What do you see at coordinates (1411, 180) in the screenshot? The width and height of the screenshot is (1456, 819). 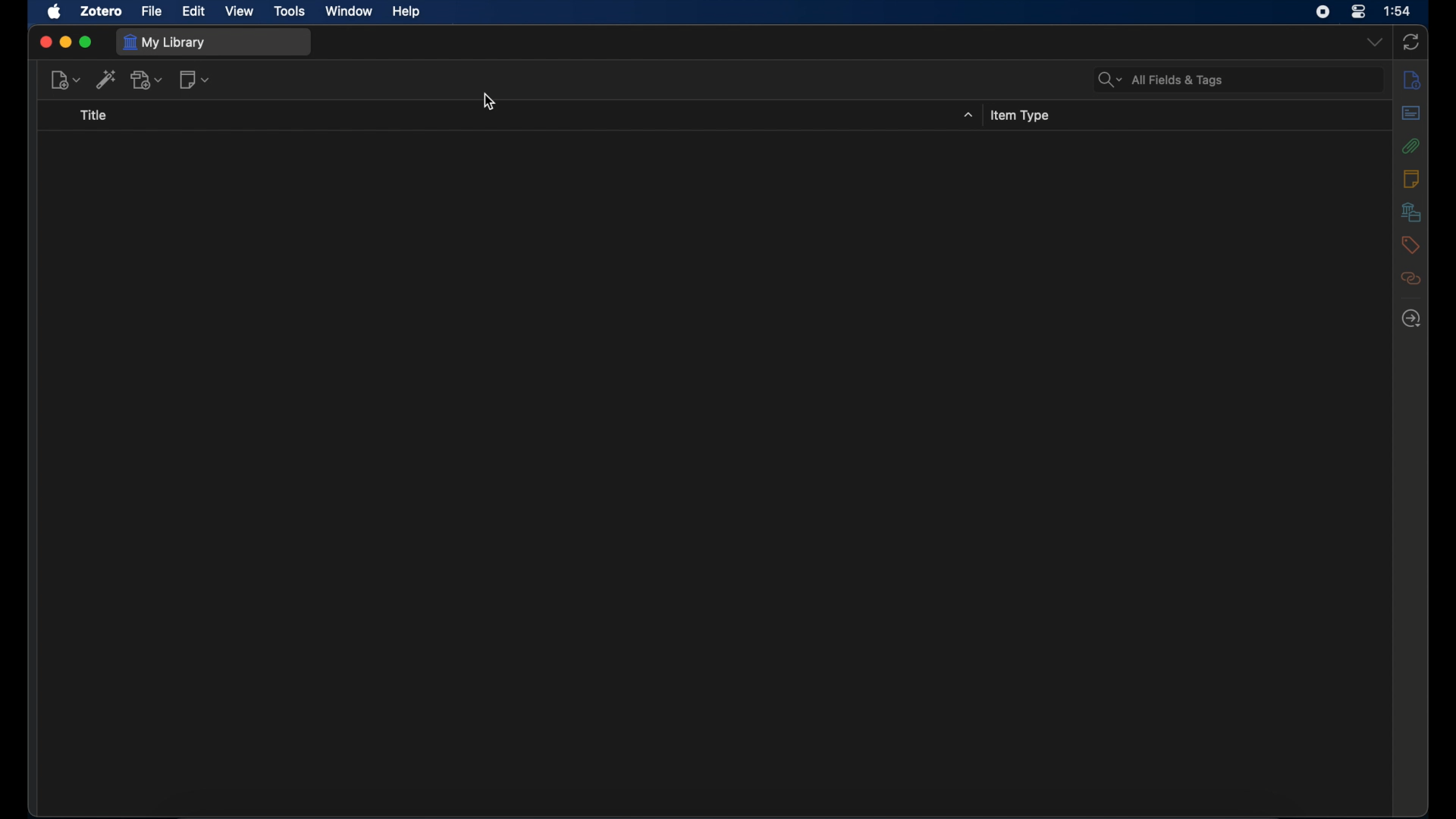 I see `notes` at bounding box center [1411, 180].